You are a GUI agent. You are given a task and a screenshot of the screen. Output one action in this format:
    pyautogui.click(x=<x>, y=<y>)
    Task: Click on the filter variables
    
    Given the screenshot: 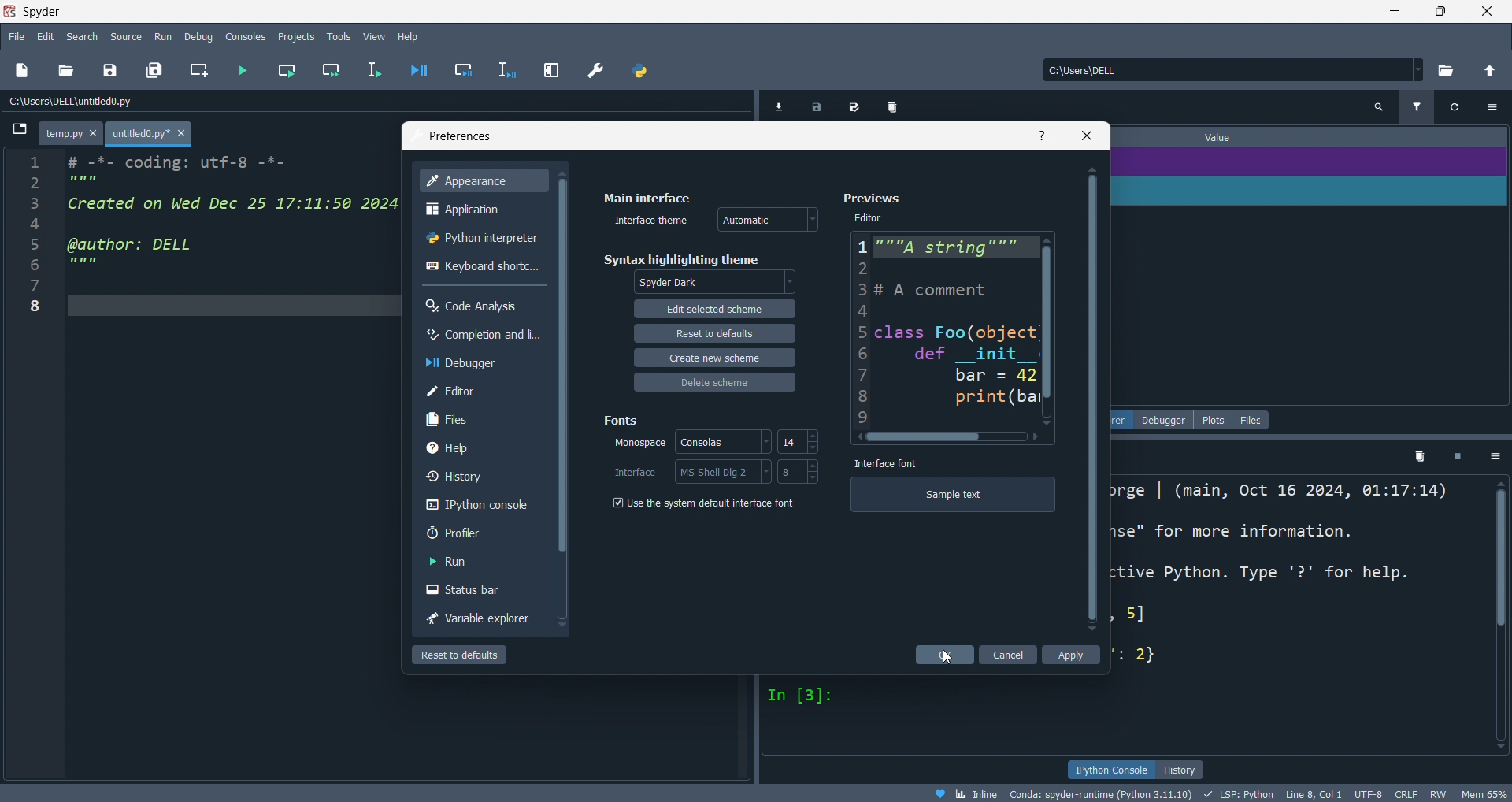 What is the action you would take?
    pyautogui.click(x=1417, y=109)
    